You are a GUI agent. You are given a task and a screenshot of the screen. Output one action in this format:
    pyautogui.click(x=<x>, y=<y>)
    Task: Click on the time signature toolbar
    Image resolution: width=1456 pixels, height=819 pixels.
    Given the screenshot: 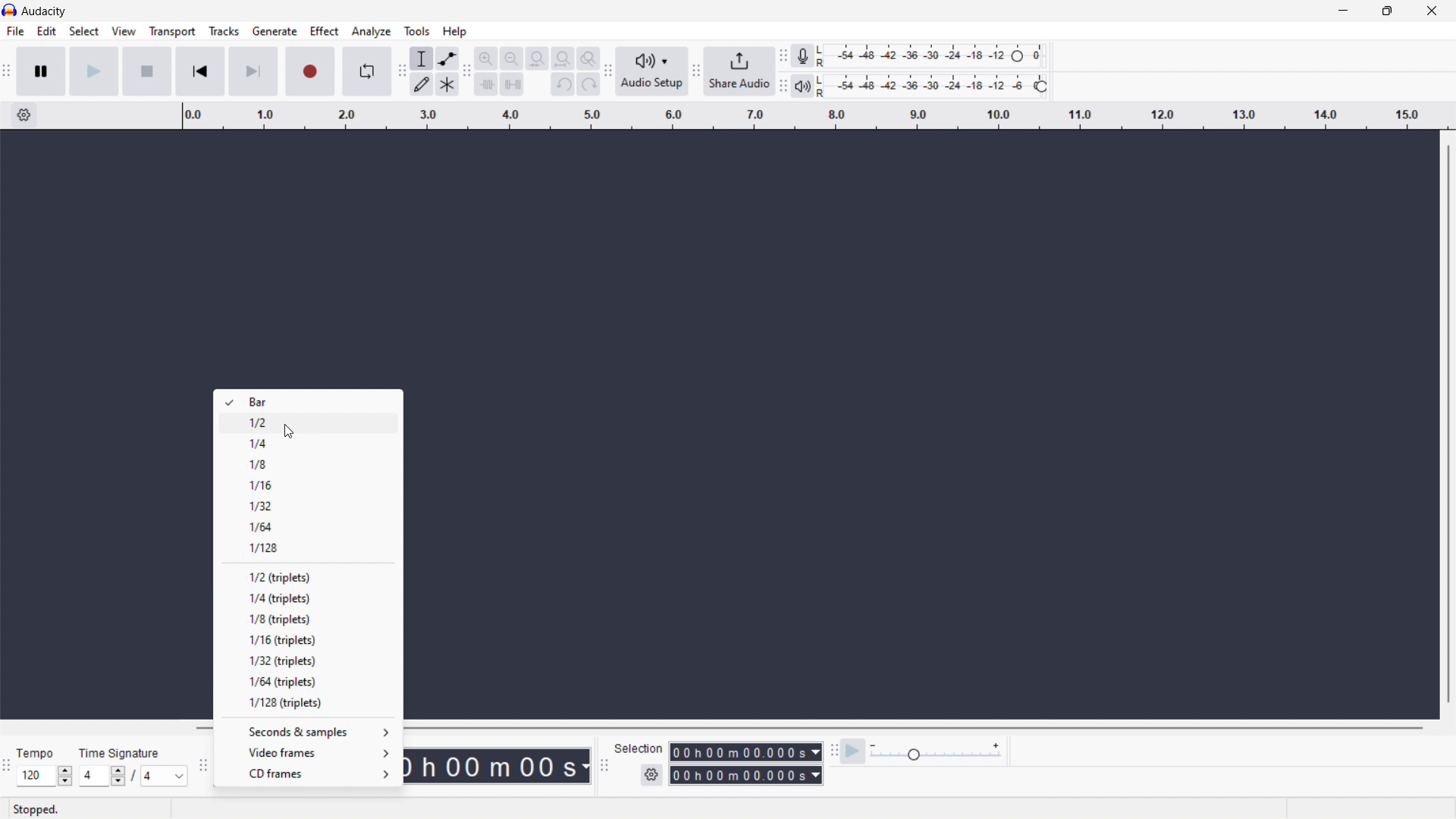 What is the action you would take?
    pyautogui.click(x=9, y=766)
    